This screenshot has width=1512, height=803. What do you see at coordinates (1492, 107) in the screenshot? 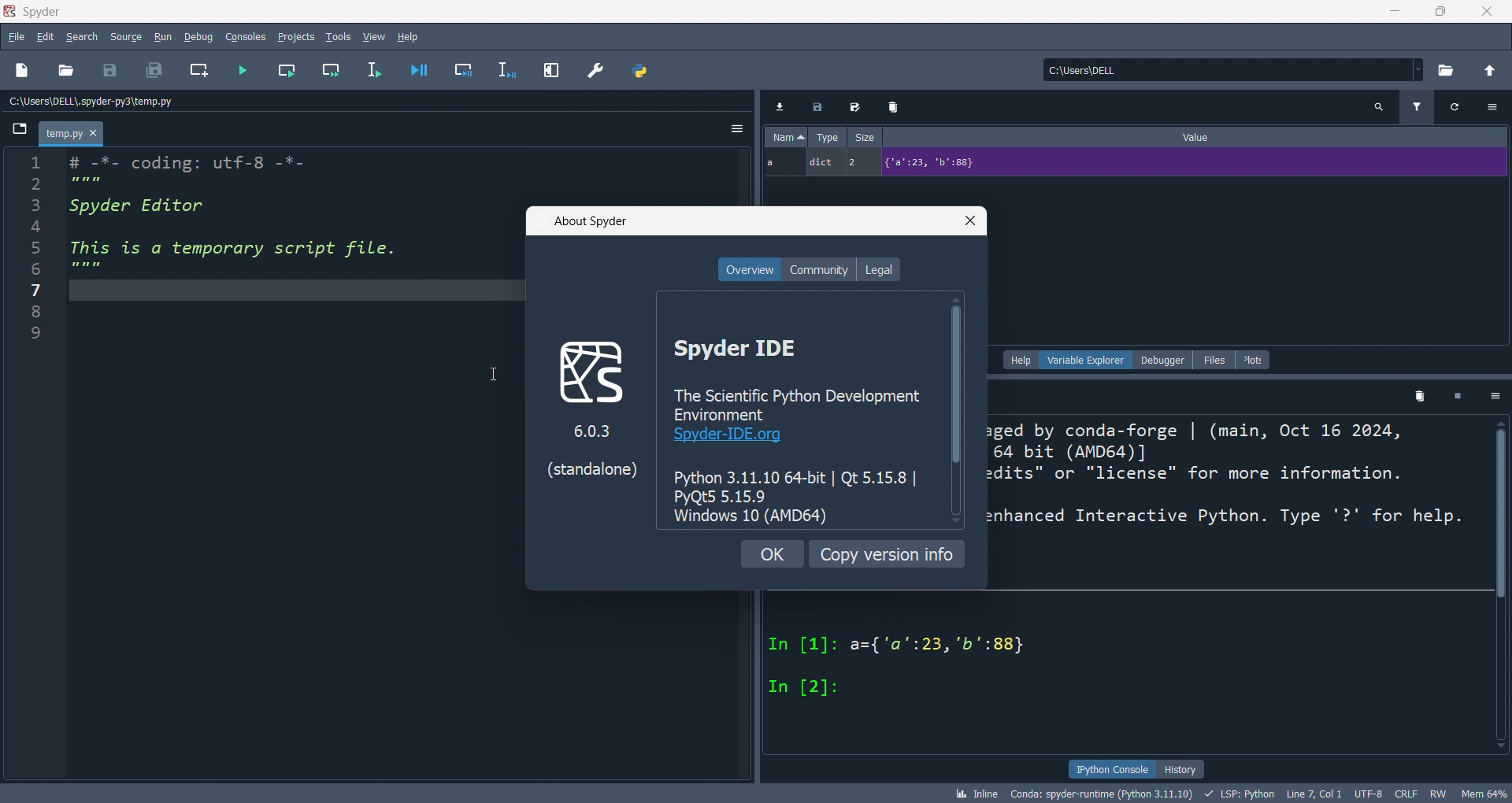
I see `Settings` at bounding box center [1492, 107].